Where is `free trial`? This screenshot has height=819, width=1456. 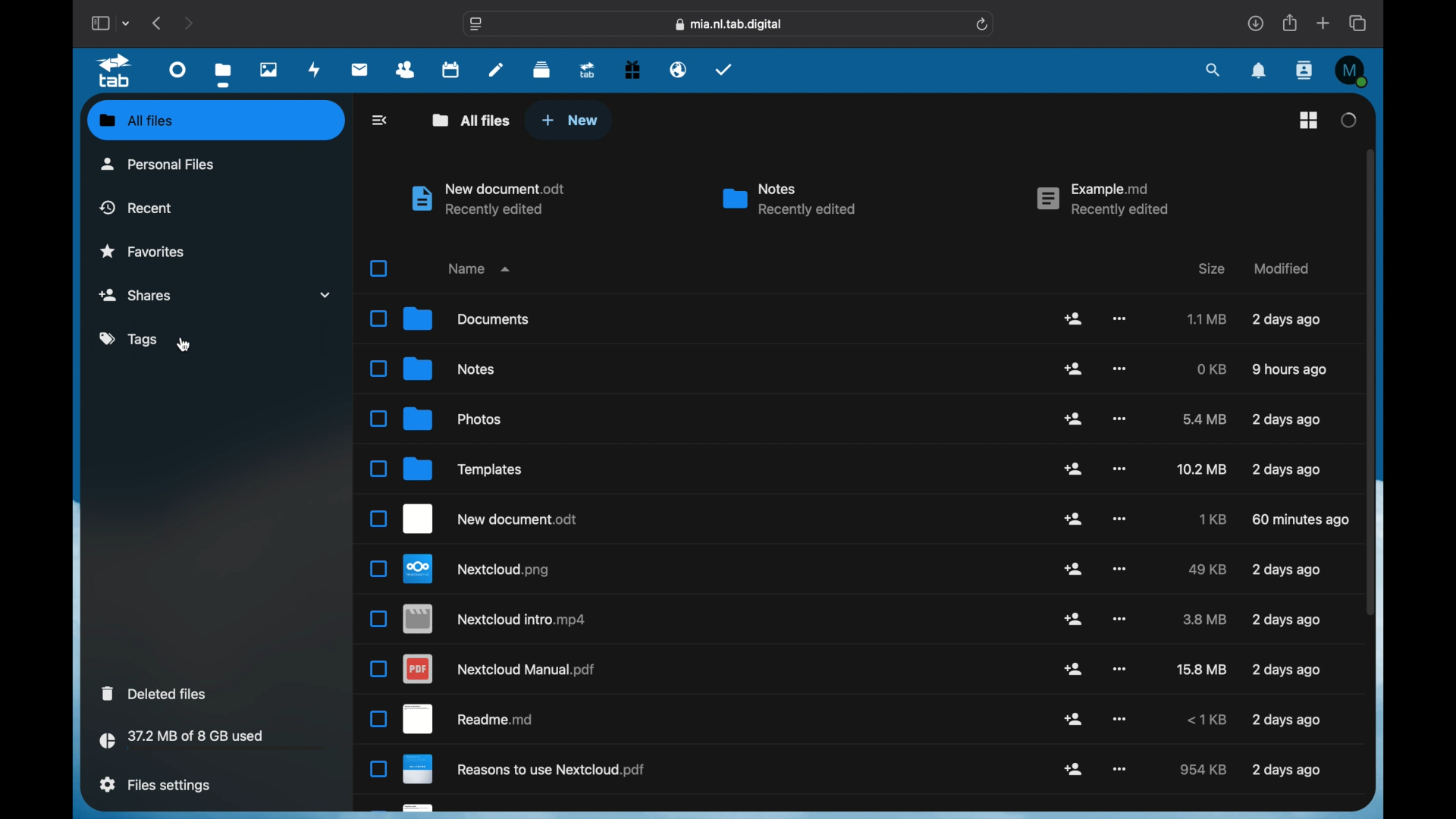 free trial is located at coordinates (632, 68).